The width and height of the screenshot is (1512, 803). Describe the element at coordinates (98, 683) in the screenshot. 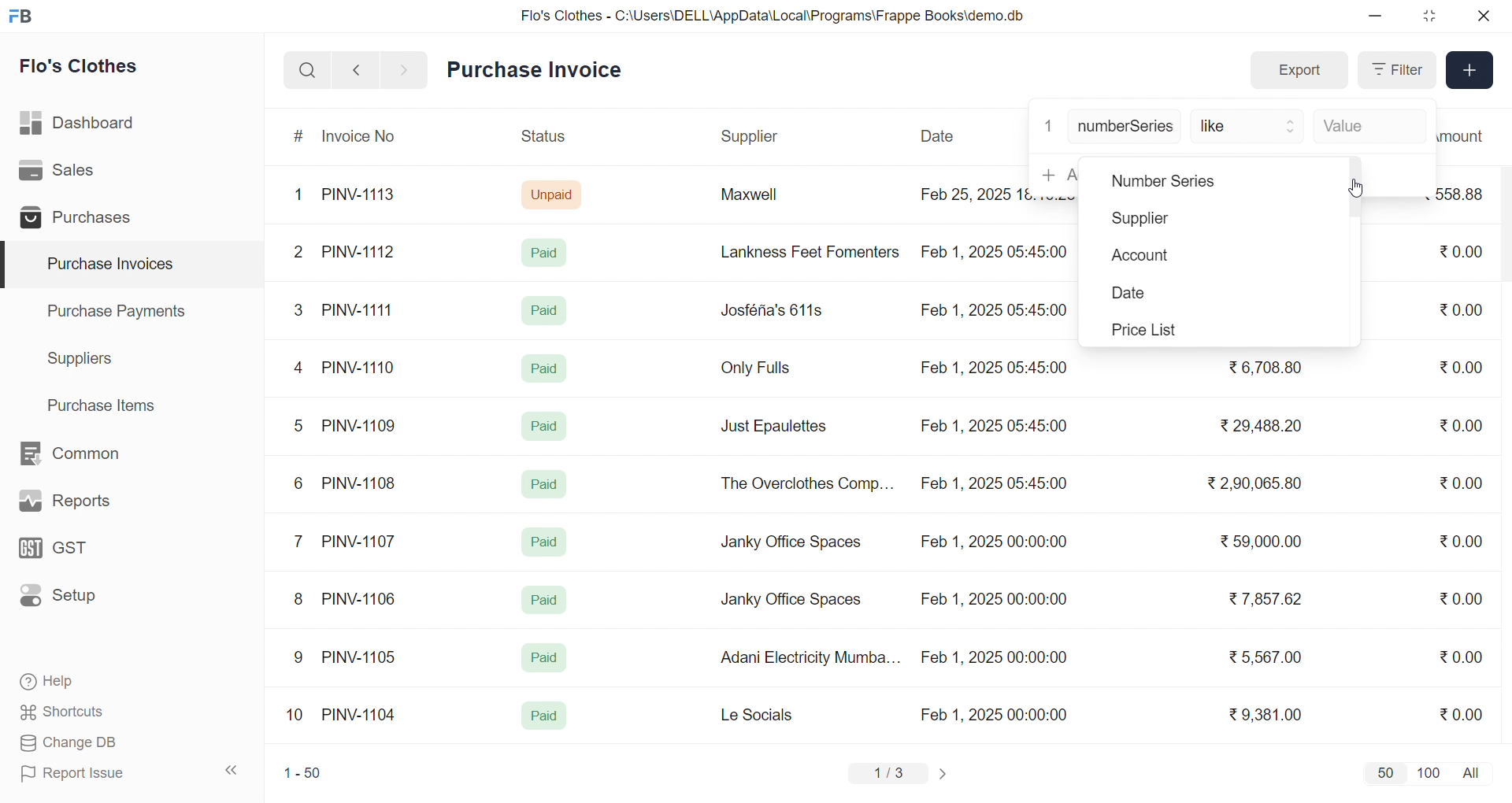

I see `Help` at that location.